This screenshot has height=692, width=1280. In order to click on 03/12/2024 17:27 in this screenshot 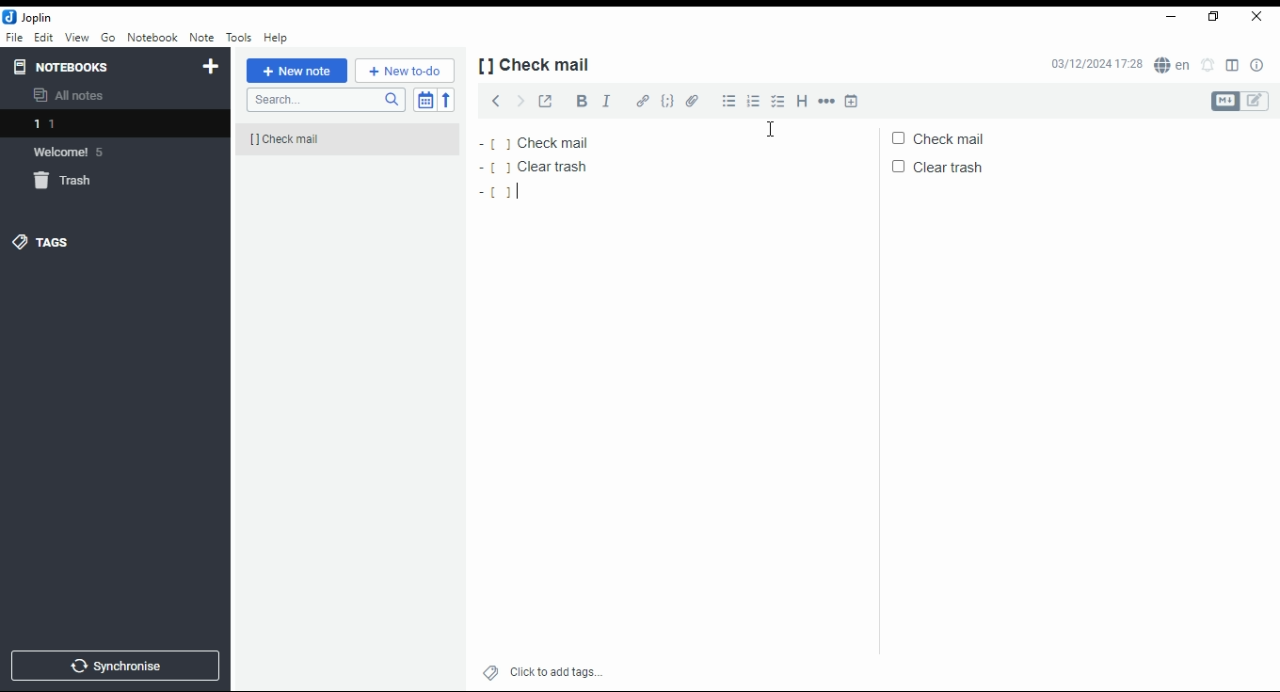, I will do `click(1096, 64)`.